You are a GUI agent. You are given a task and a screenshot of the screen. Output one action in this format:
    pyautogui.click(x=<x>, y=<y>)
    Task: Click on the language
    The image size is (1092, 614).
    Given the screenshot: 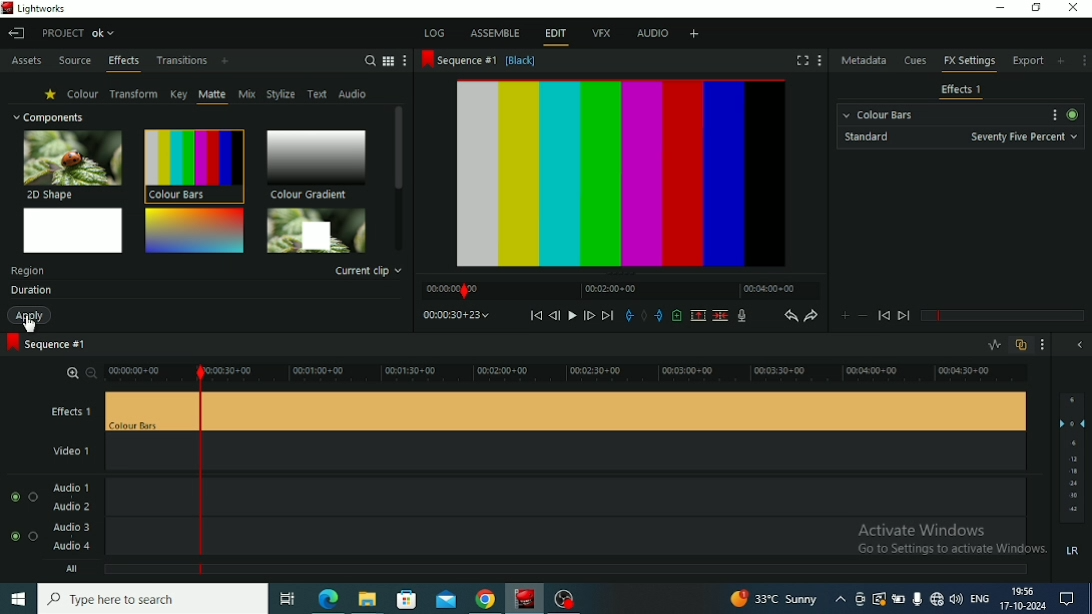 What is the action you would take?
    pyautogui.click(x=979, y=598)
    